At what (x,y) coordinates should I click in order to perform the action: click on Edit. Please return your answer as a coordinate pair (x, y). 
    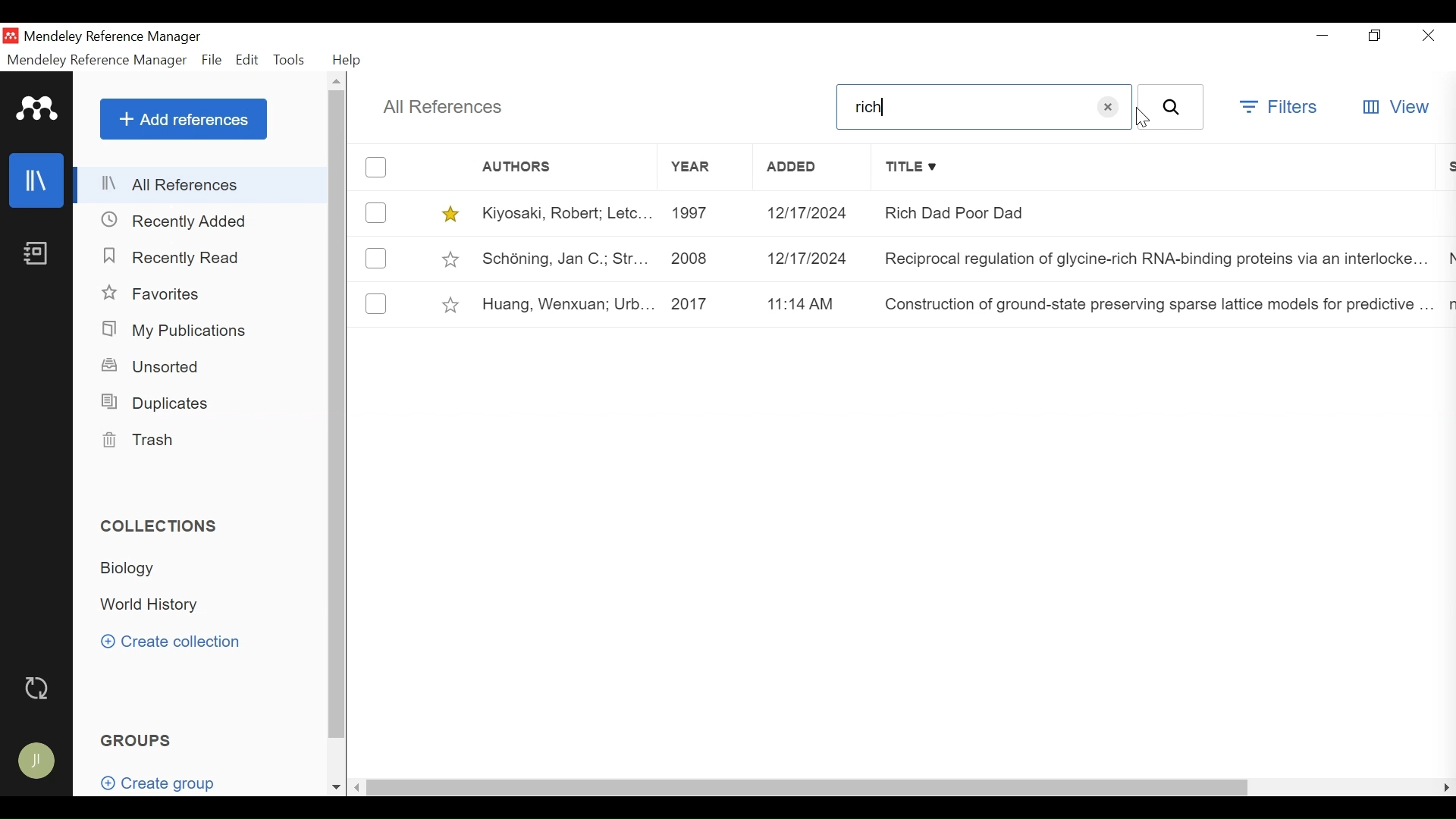
    Looking at the image, I should click on (248, 59).